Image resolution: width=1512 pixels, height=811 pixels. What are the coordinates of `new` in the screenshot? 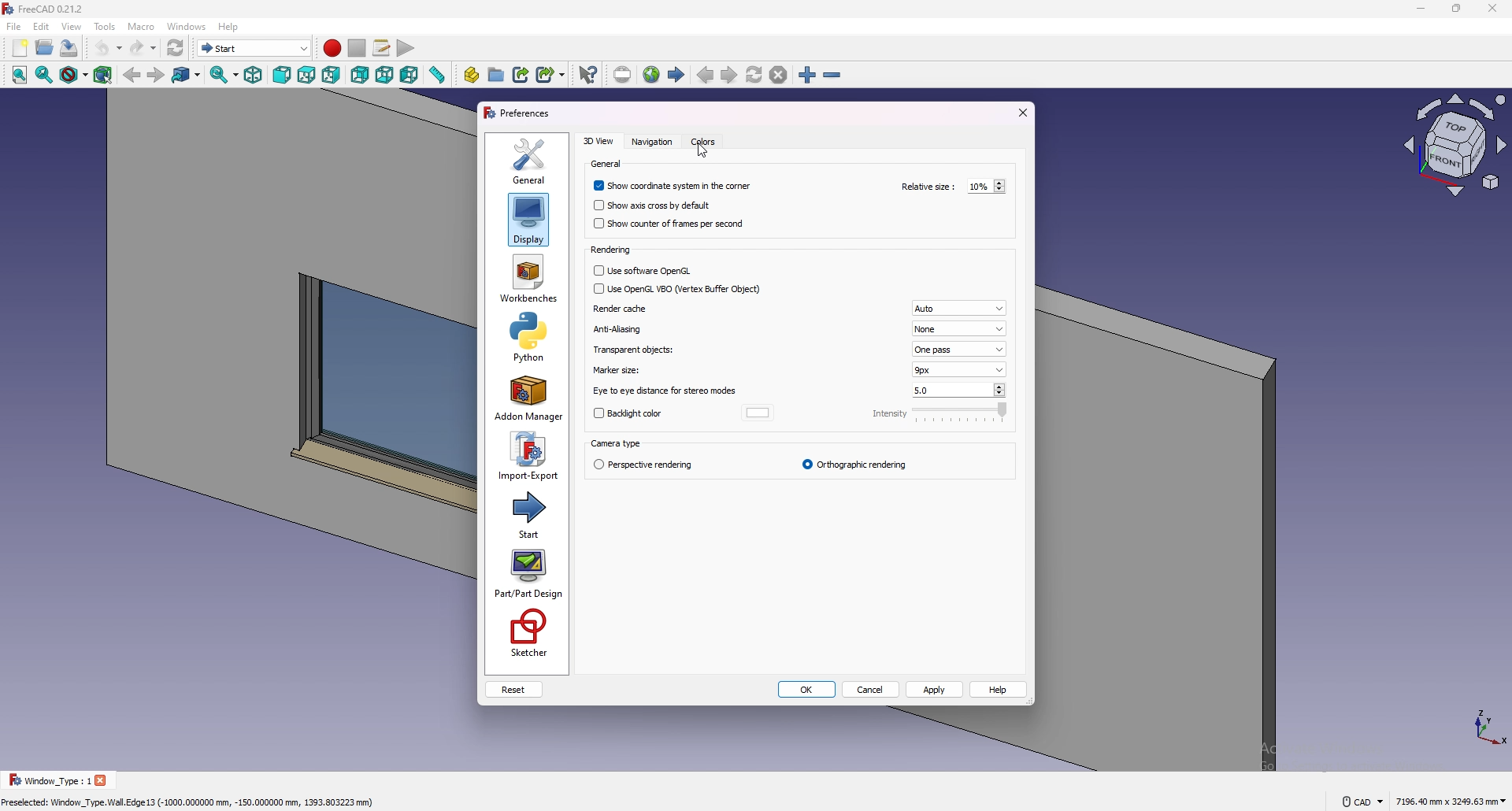 It's located at (19, 48).